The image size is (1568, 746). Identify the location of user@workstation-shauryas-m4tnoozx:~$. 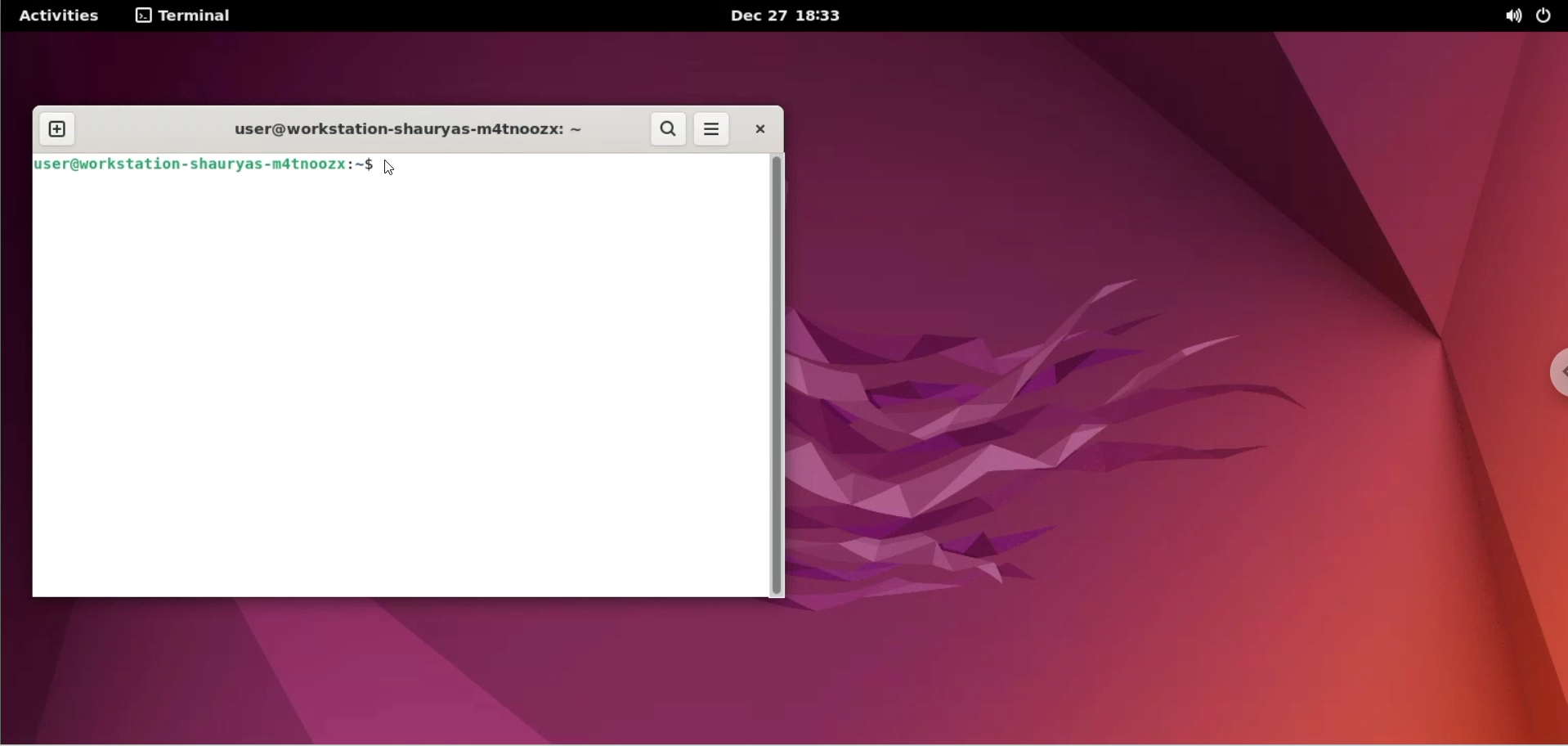
(206, 166).